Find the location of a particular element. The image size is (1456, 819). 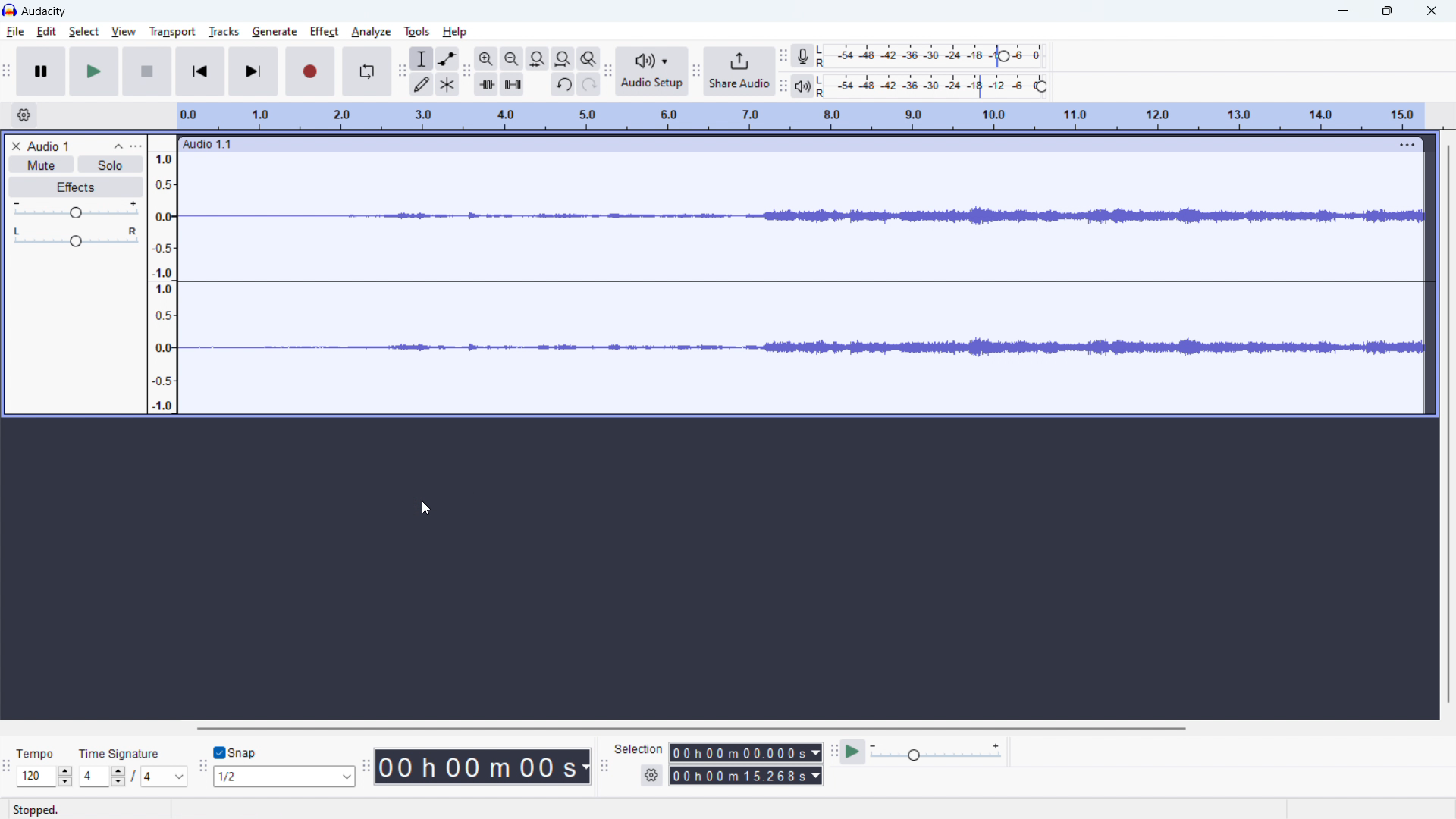

stop is located at coordinates (147, 71).